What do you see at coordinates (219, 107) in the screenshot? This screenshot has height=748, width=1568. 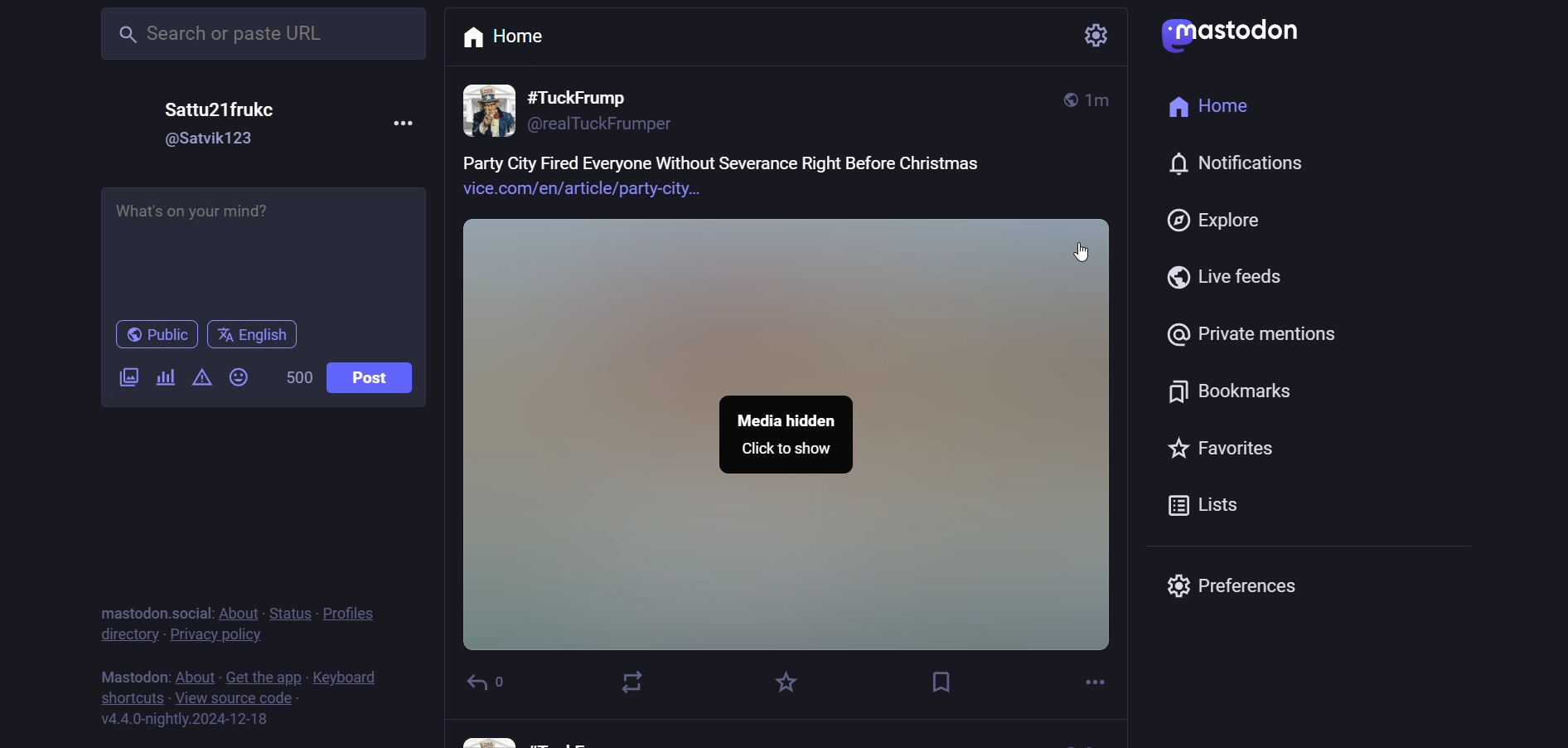 I see `Username` at bounding box center [219, 107].